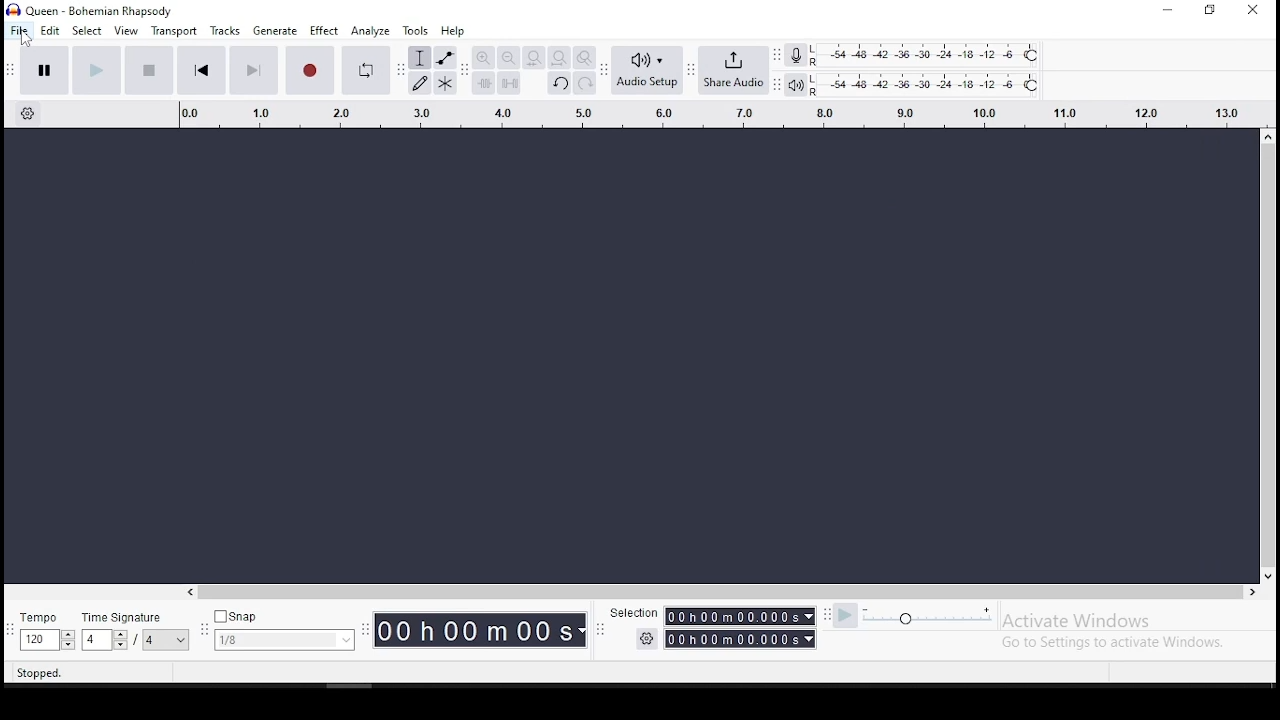  Describe the element at coordinates (647, 70) in the screenshot. I see `audio setup` at that location.